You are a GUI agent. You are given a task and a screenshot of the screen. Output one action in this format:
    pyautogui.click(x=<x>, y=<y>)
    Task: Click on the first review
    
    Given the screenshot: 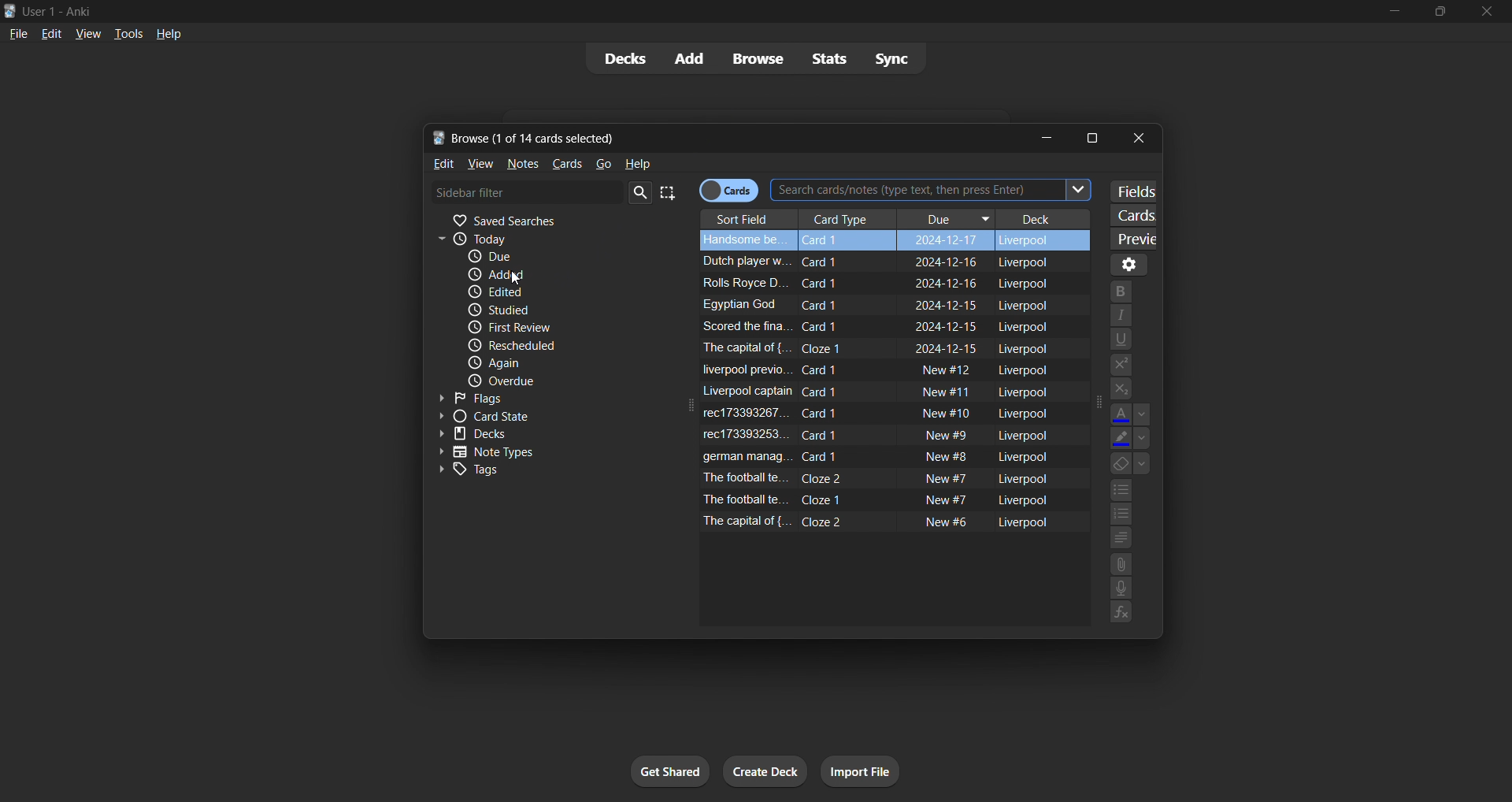 What is the action you would take?
    pyautogui.click(x=550, y=326)
    